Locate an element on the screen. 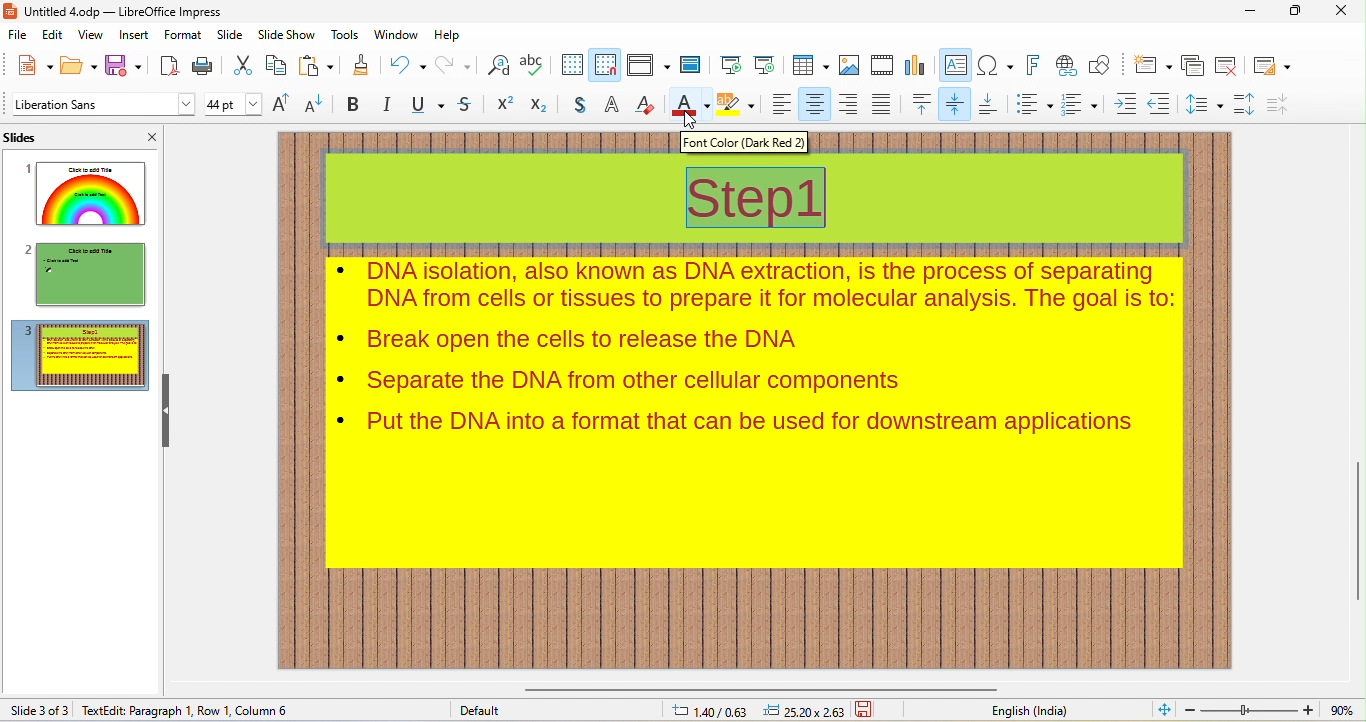  table is located at coordinates (807, 64).